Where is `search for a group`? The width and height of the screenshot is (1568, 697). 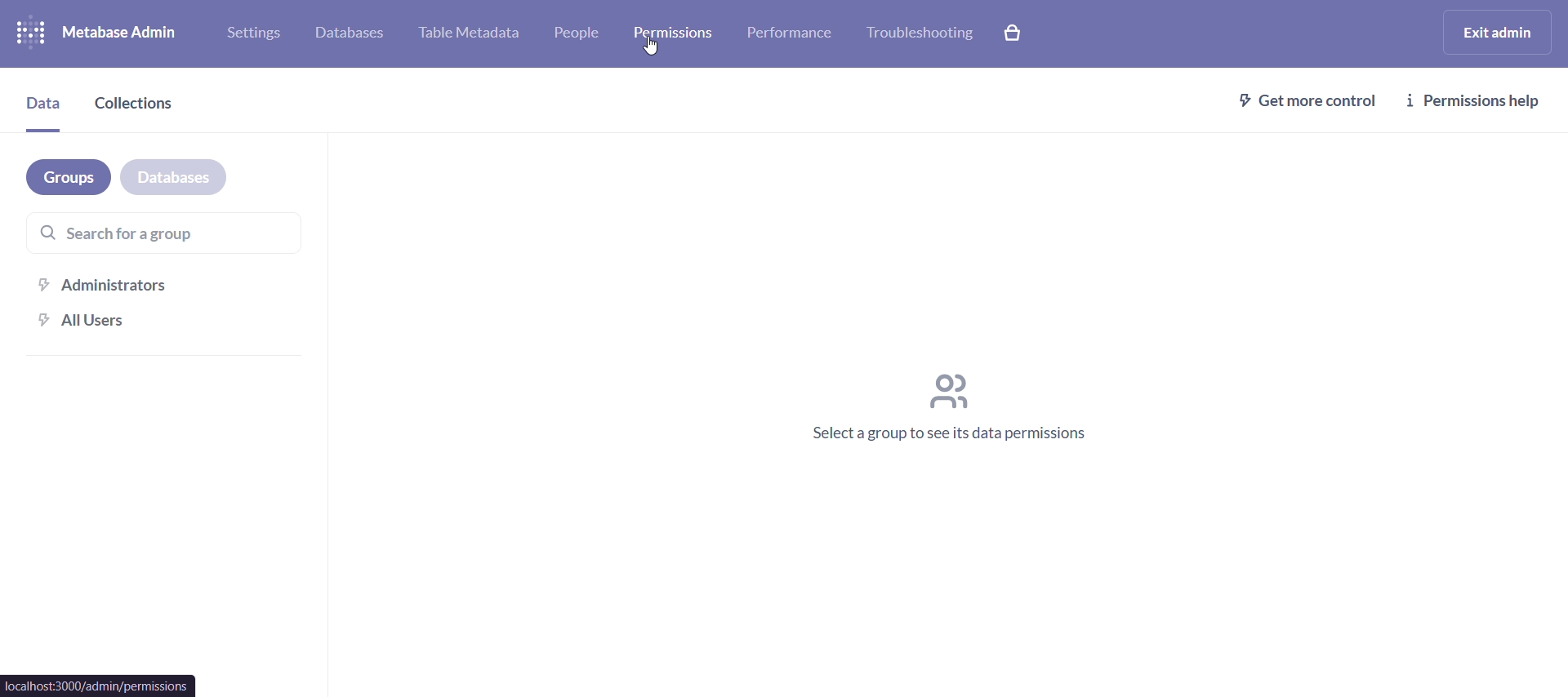 search for a group is located at coordinates (163, 230).